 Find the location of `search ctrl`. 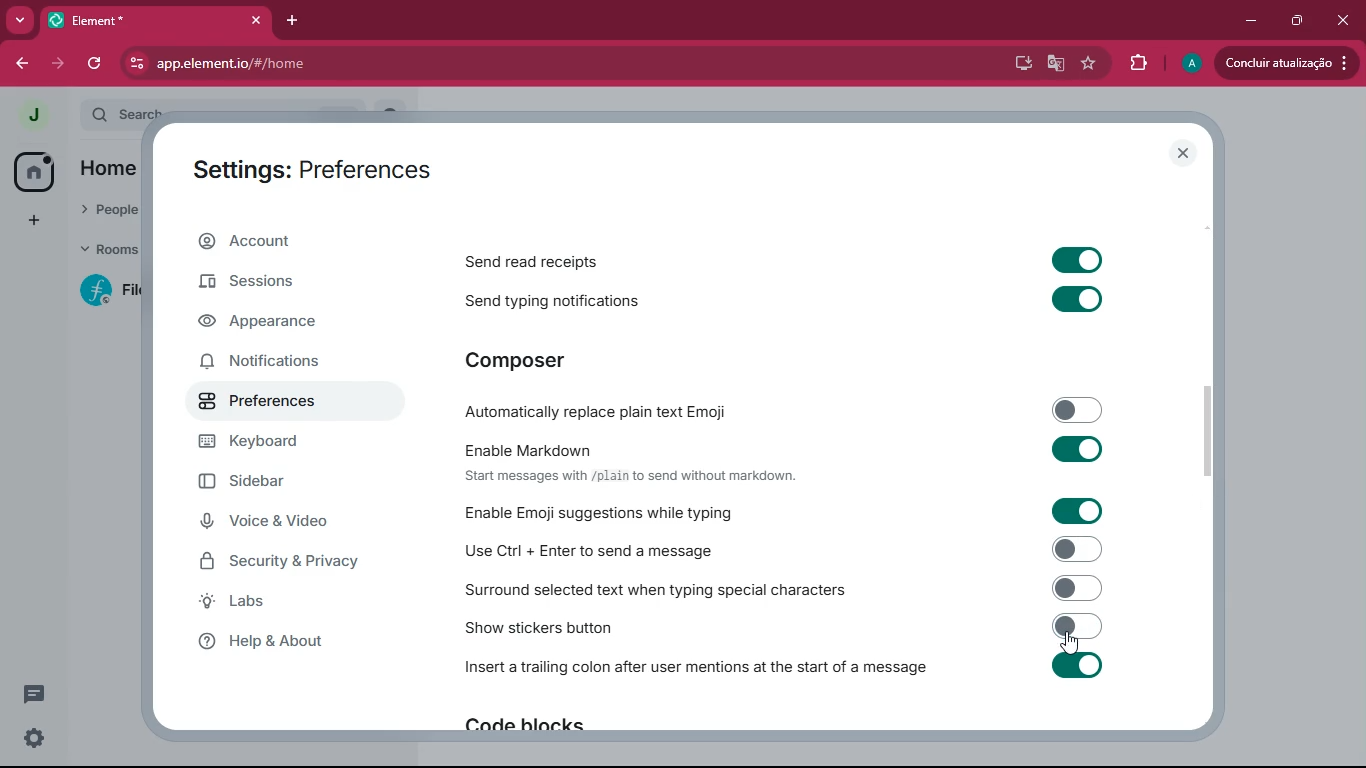

search ctrl is located at coordinates (124, 112).